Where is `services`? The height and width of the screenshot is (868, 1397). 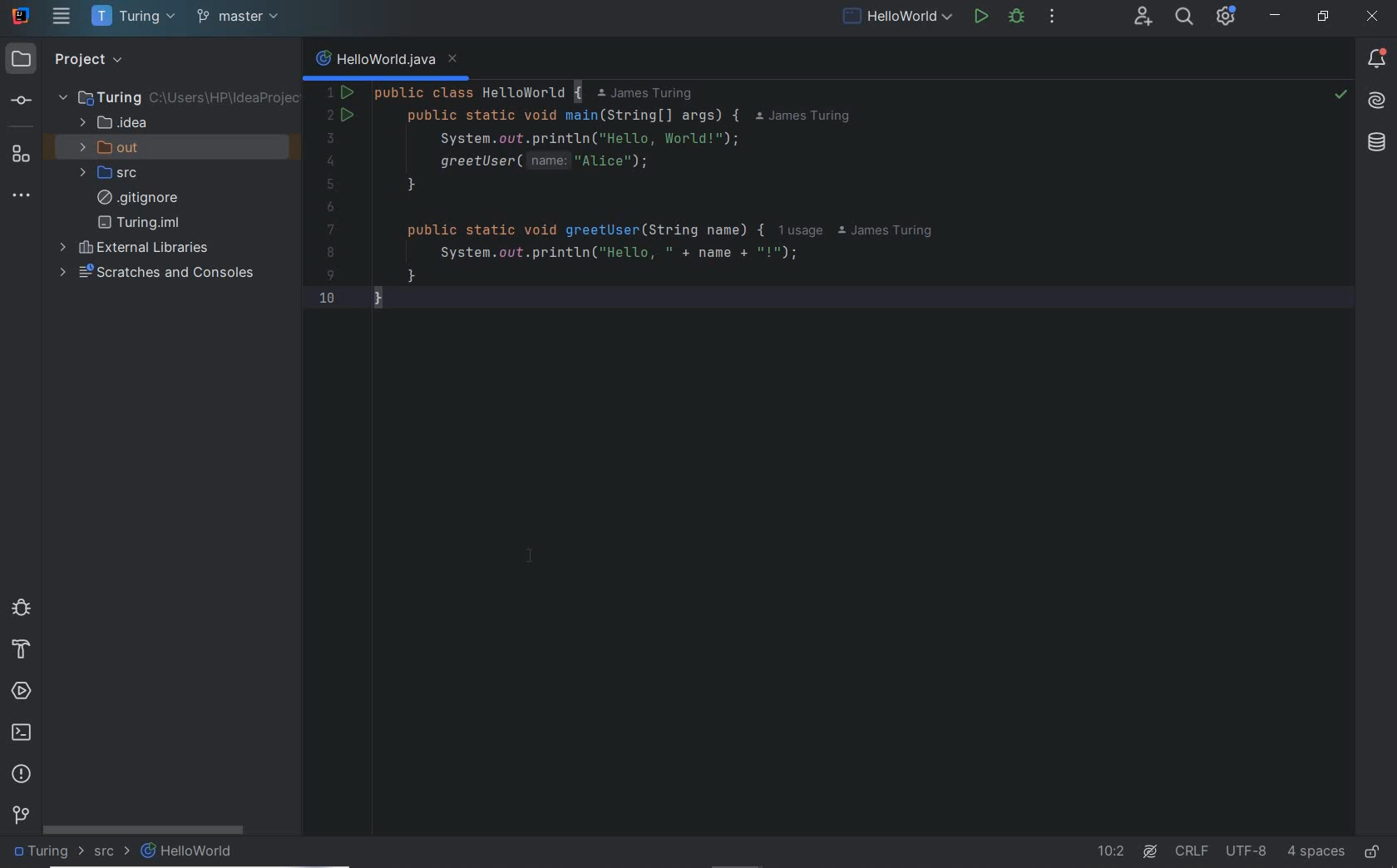 services is located at coordinates (23, 692).